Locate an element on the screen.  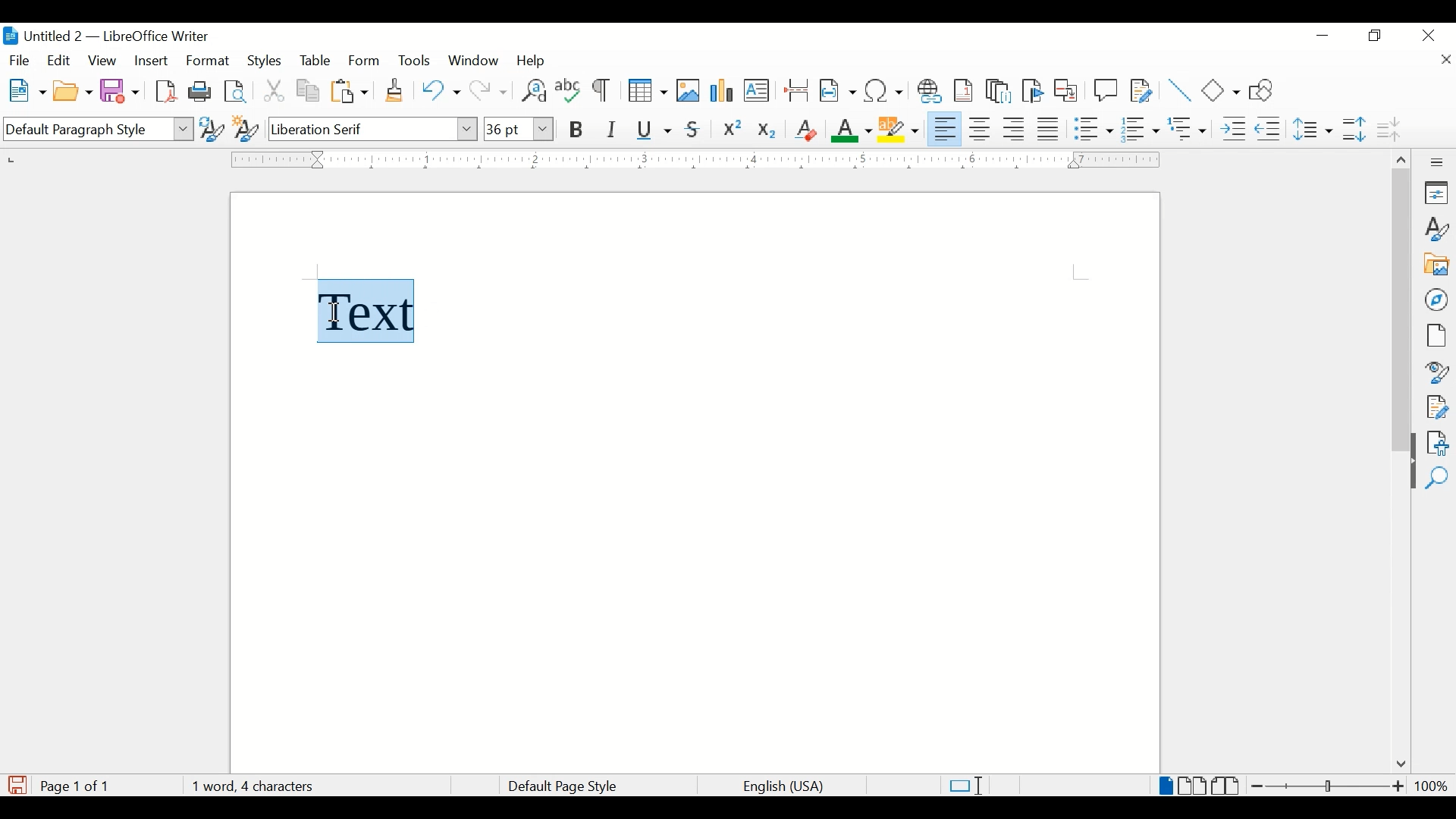
new comment is located at coordinates (1106, 90).